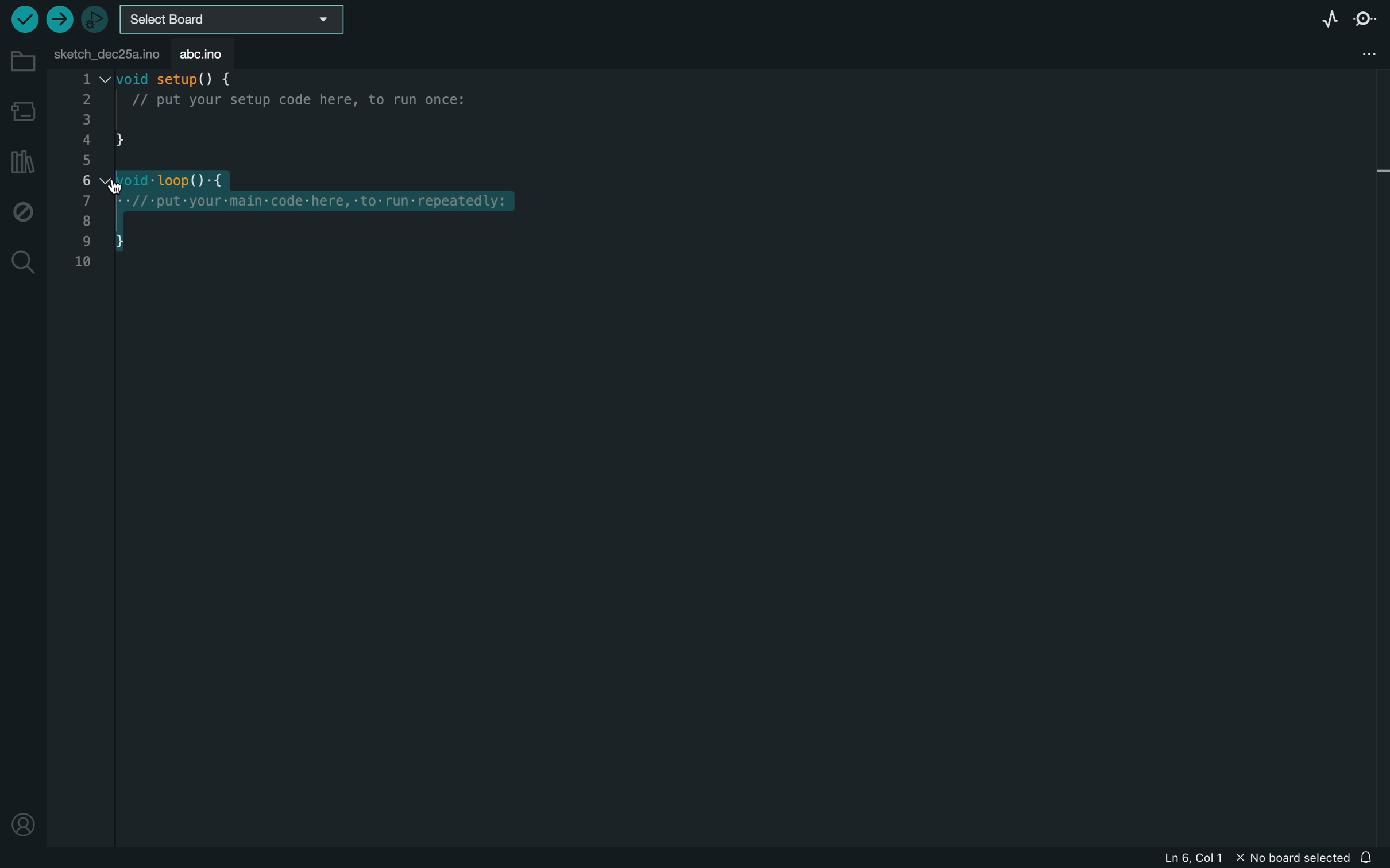 The image size is (1390, 868). I want to click on board selecter, so click(234, 18).